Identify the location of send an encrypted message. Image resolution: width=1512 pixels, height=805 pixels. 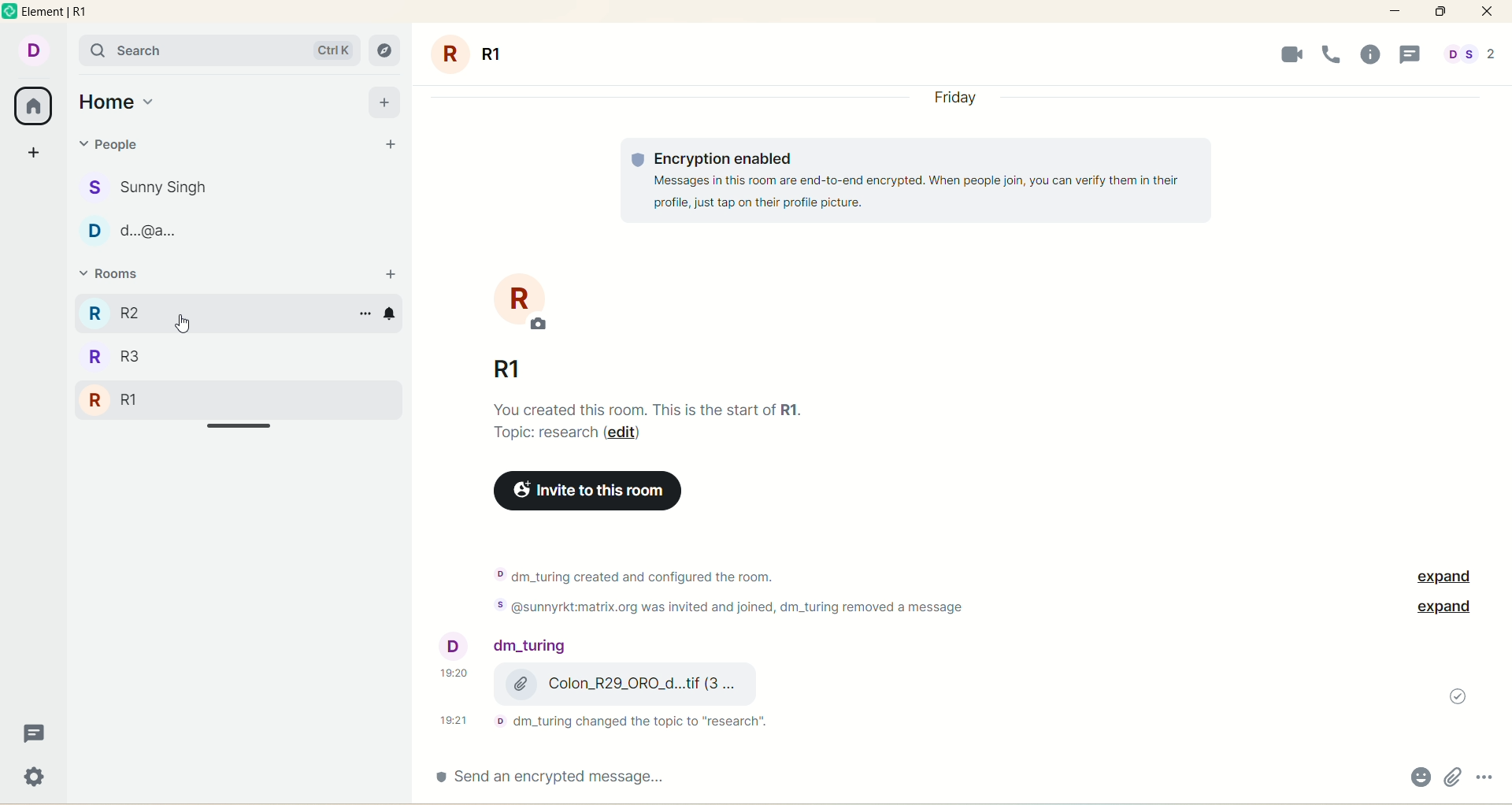
(579, 777).